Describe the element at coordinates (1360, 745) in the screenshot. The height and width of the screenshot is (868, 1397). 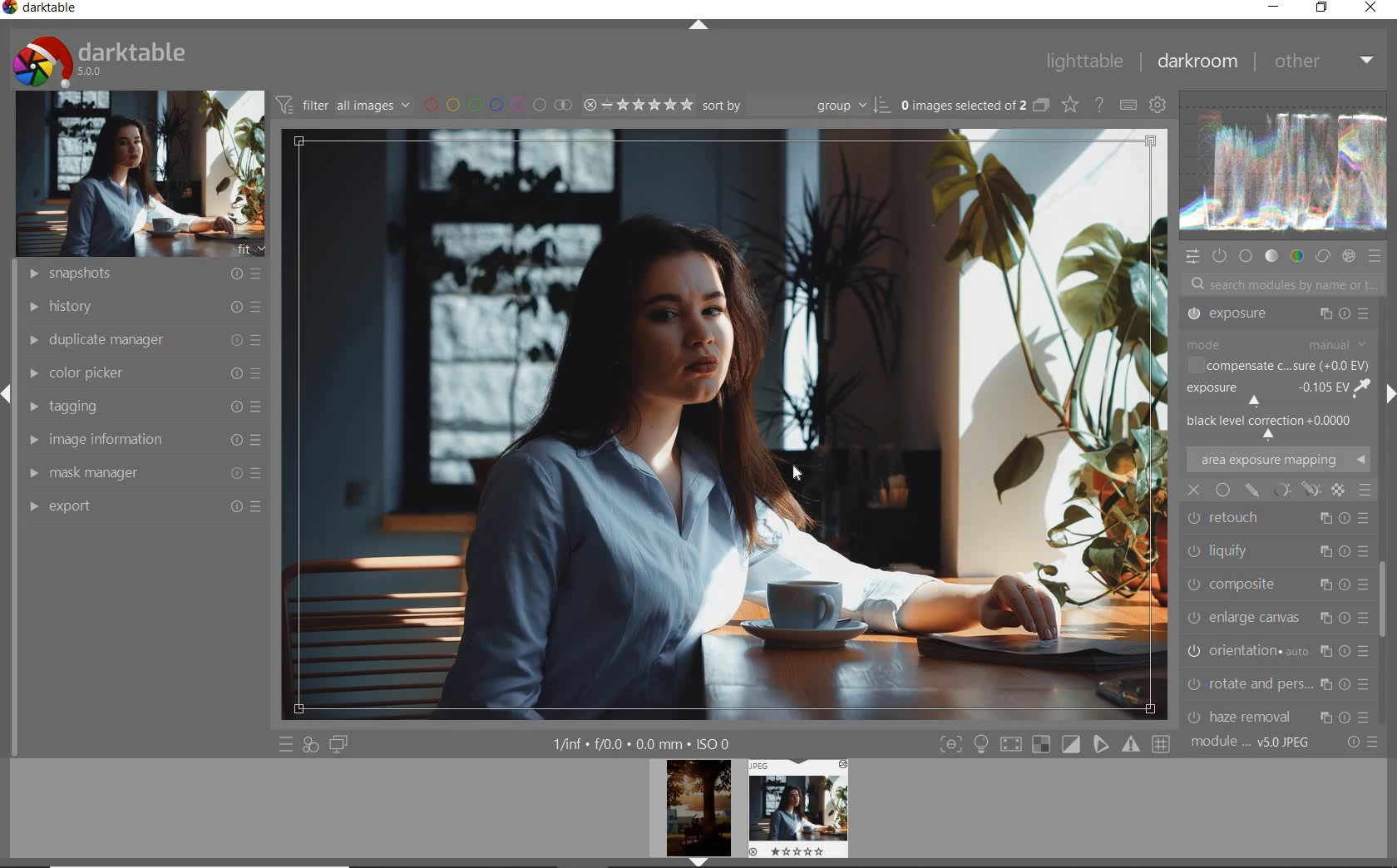
I see `RESET OR PRESET & PREFERANCE` at that location.